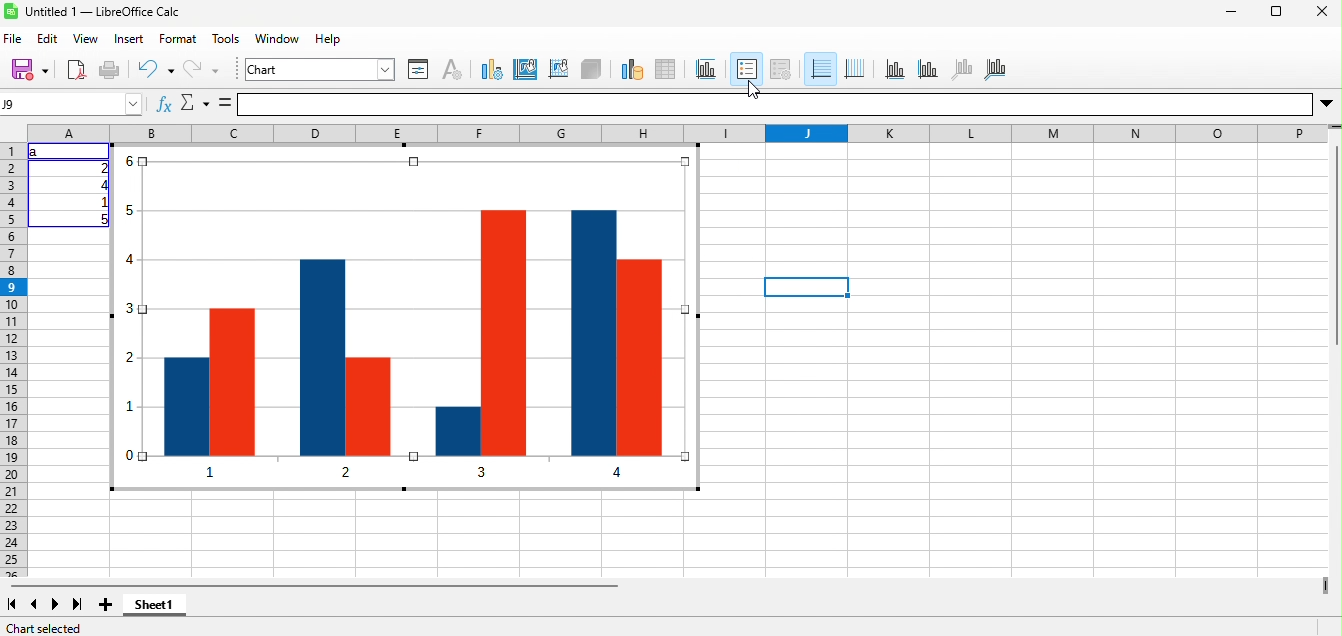 This screenshot has height=636, width=1342. I want to click on print, so click(110, 71).